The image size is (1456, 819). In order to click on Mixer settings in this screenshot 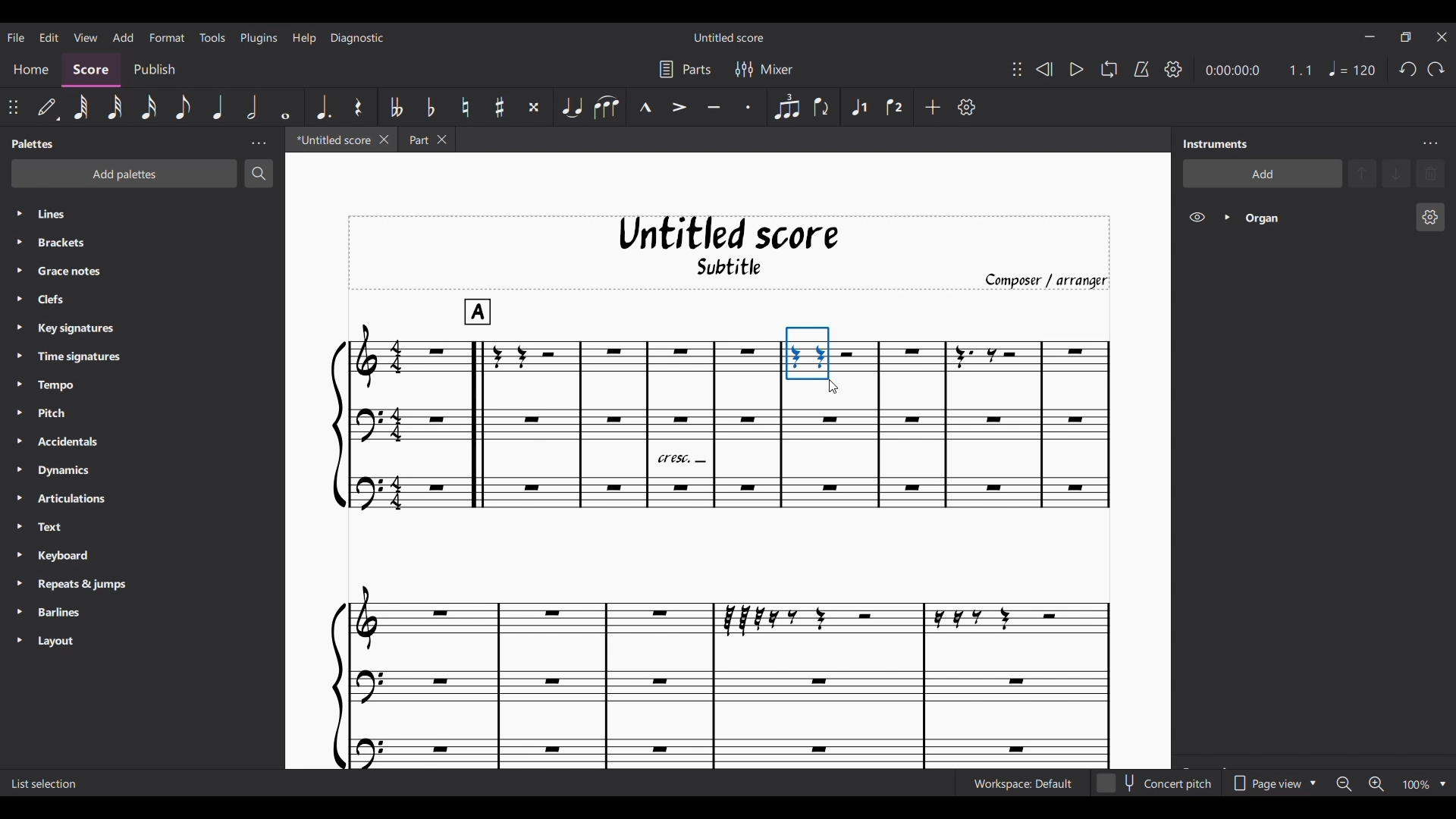, I will do `click(765, 70)`.